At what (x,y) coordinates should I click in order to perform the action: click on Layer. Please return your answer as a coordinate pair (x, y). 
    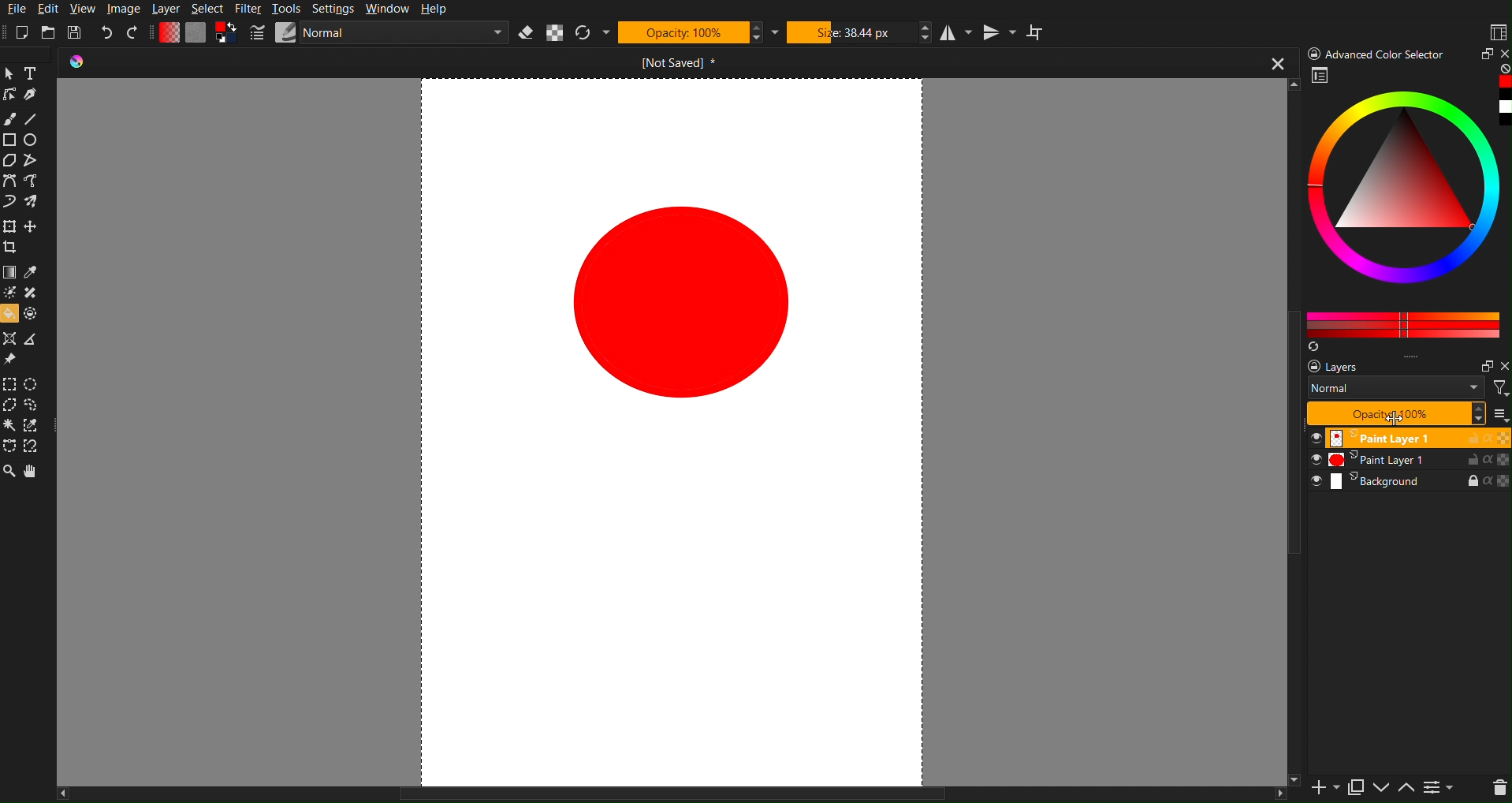
    Looking at the image, I should click on (166, 9).